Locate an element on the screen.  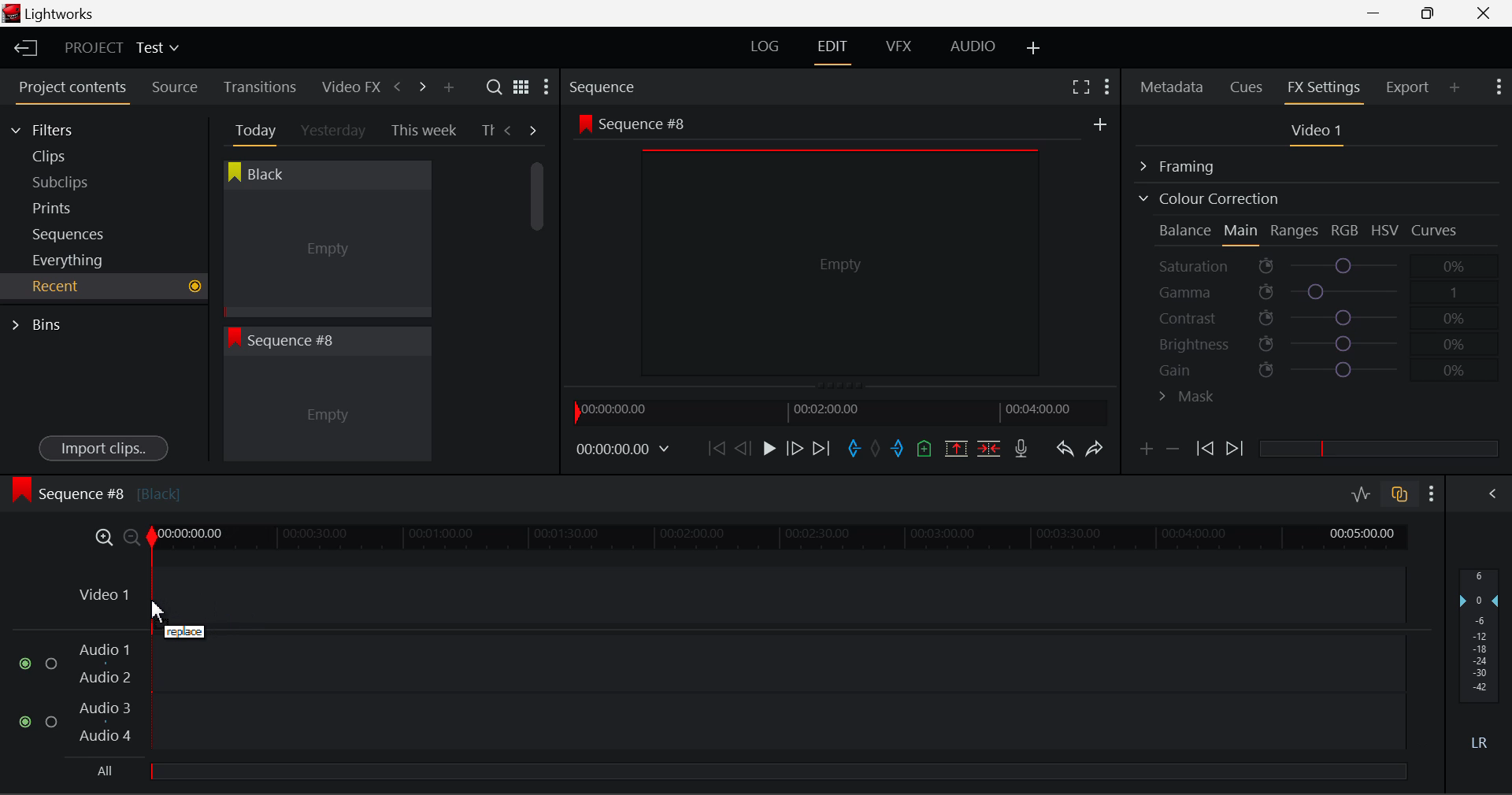
Add Panel is located at coordinates (448, 88).